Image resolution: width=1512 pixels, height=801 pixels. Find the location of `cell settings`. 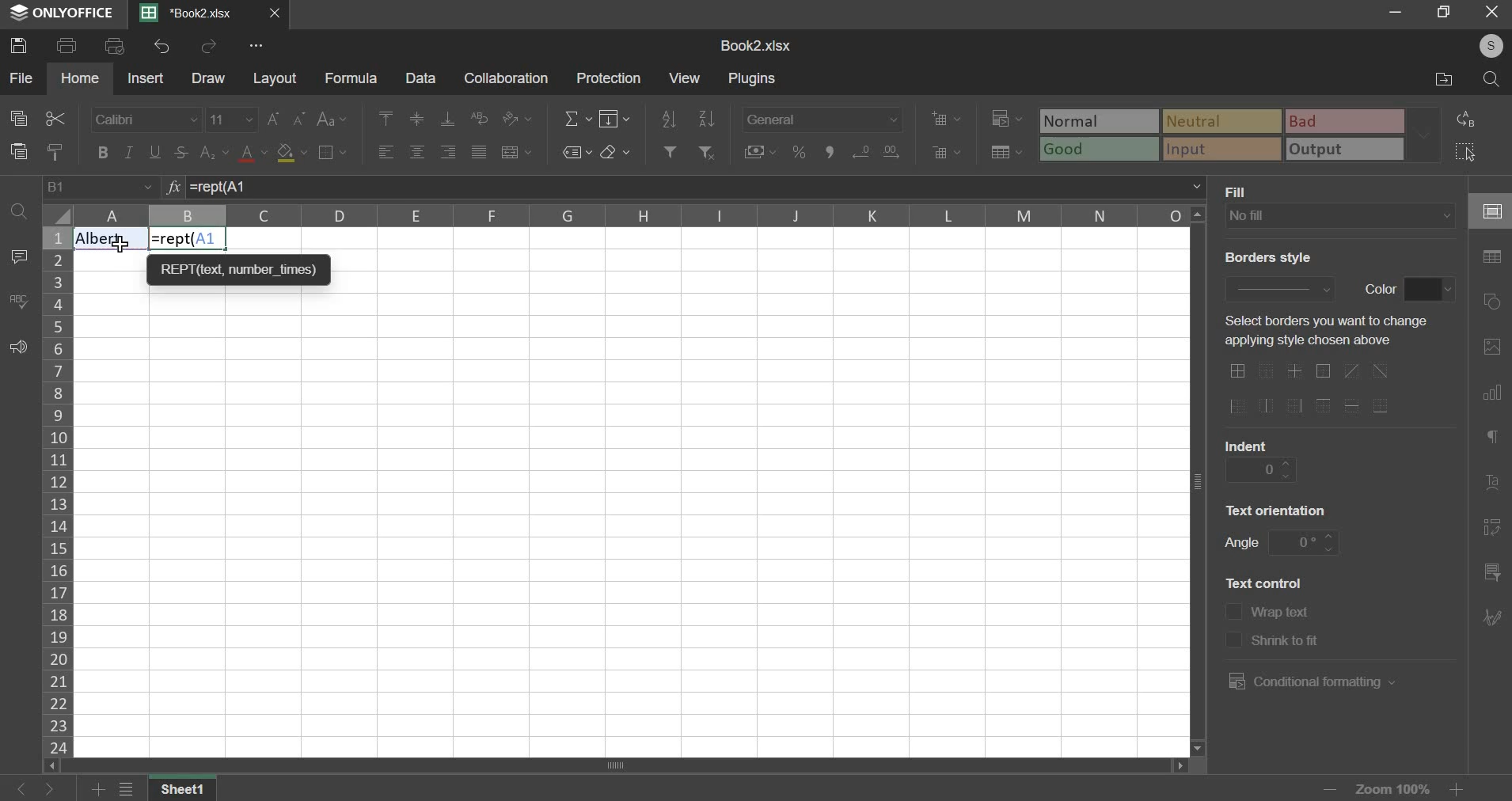

cell settings is located at coordinates (1489, 210).